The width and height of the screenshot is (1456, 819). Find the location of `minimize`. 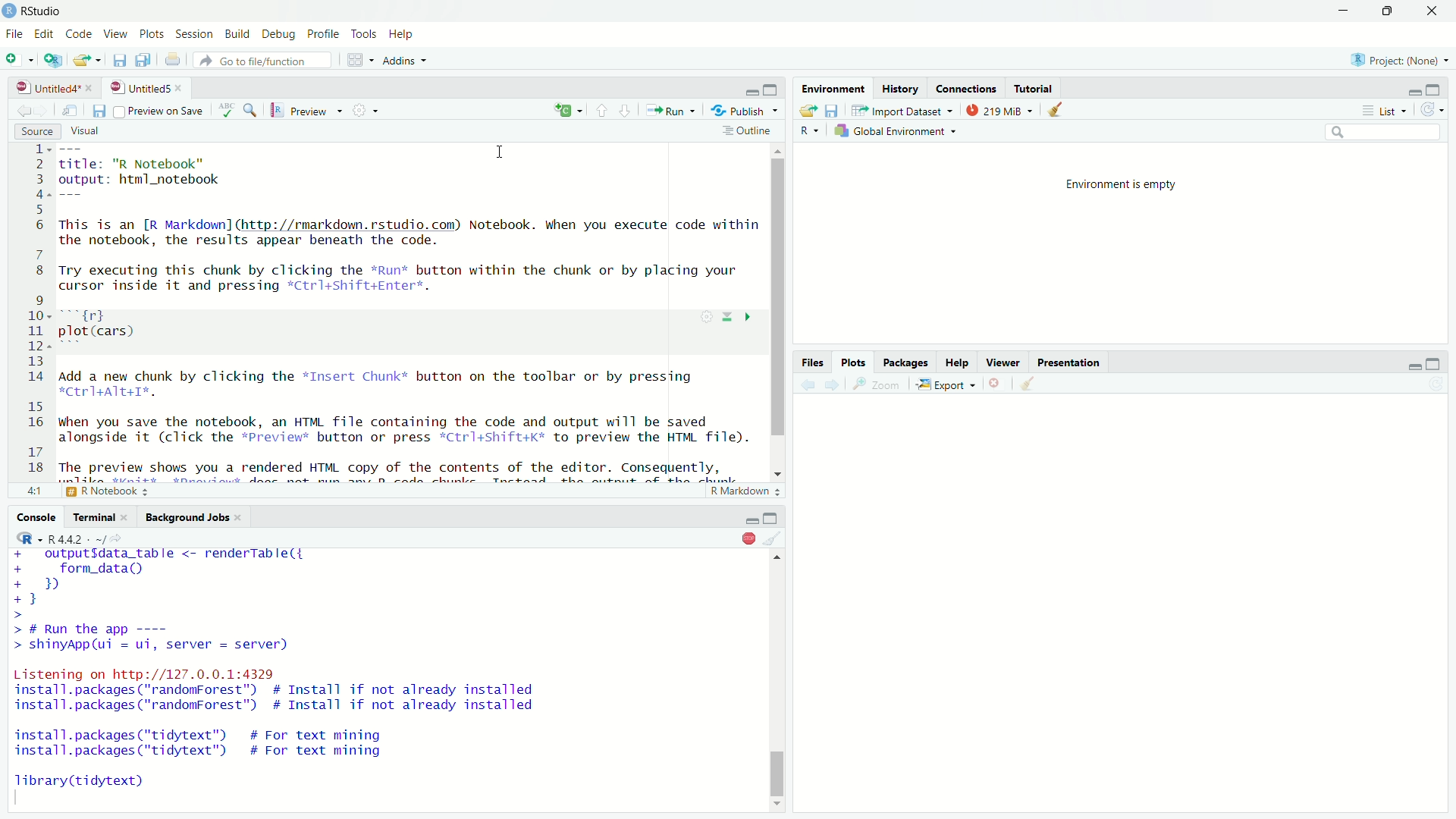

minimize is located at coordinates (773, 517).